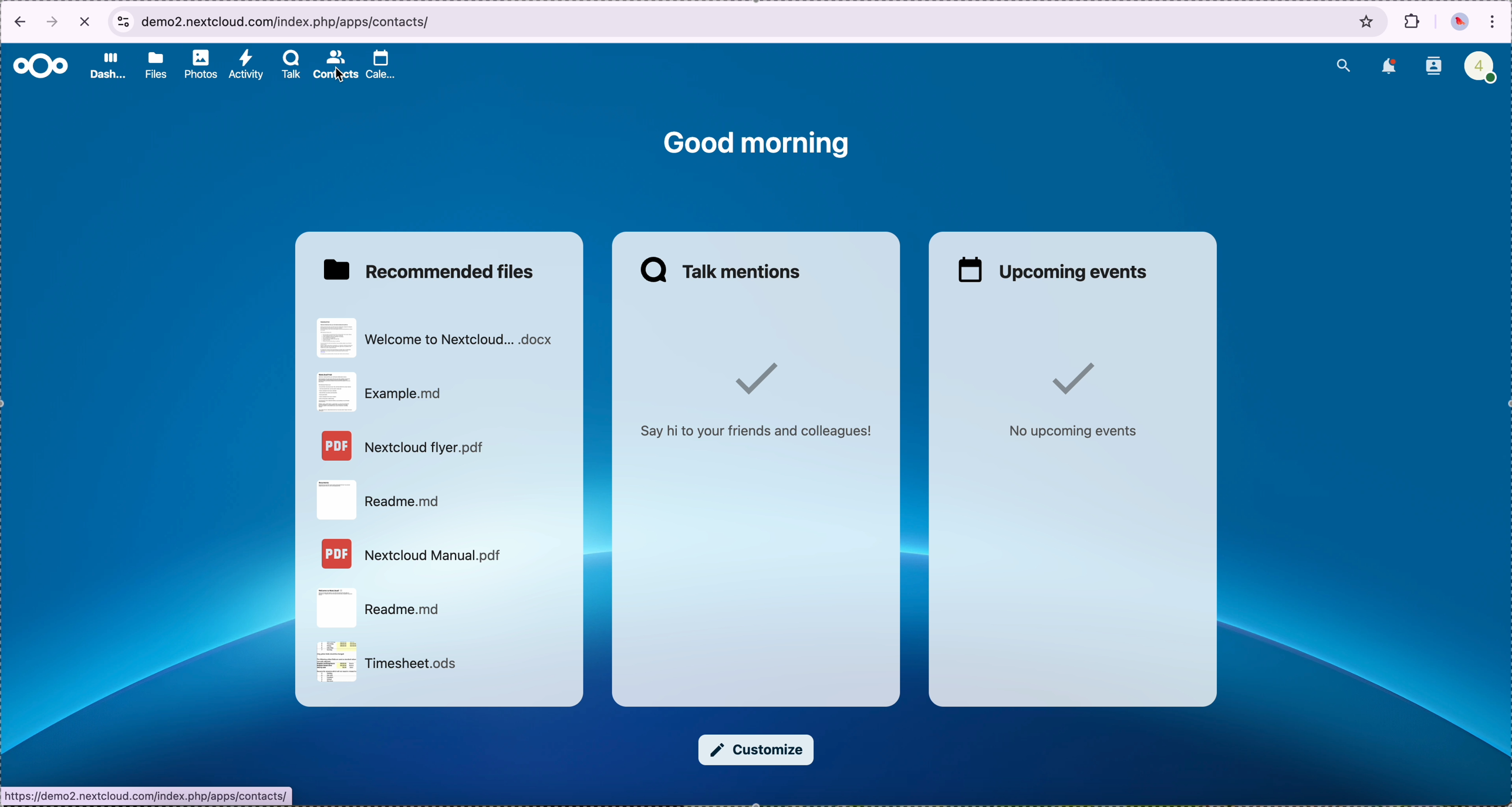 The image size is (1512, 807). What do you see at coordinates (758, 144) in the screenshot?
I see `good morning` at bounding box center [758, 144].